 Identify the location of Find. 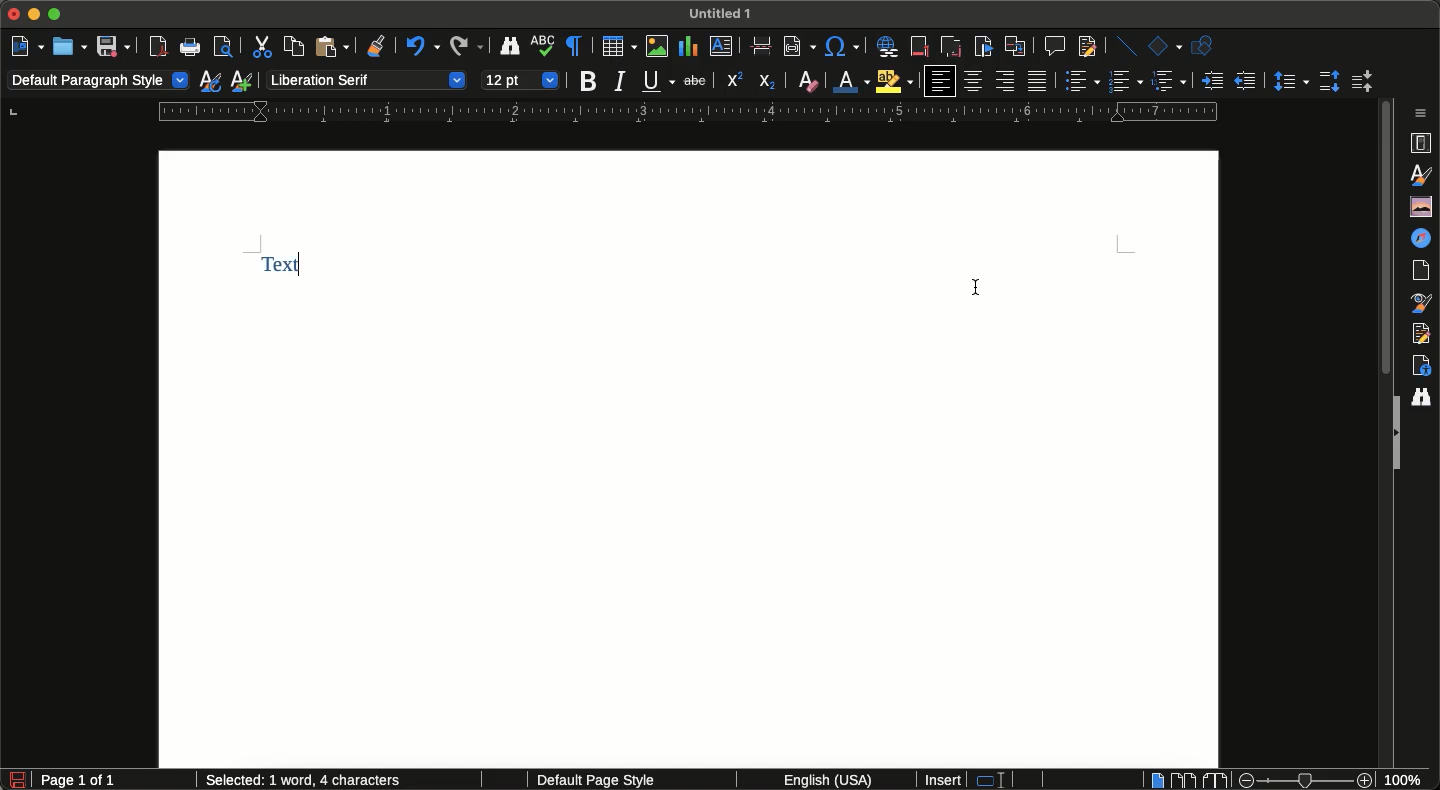
(1421, 398).